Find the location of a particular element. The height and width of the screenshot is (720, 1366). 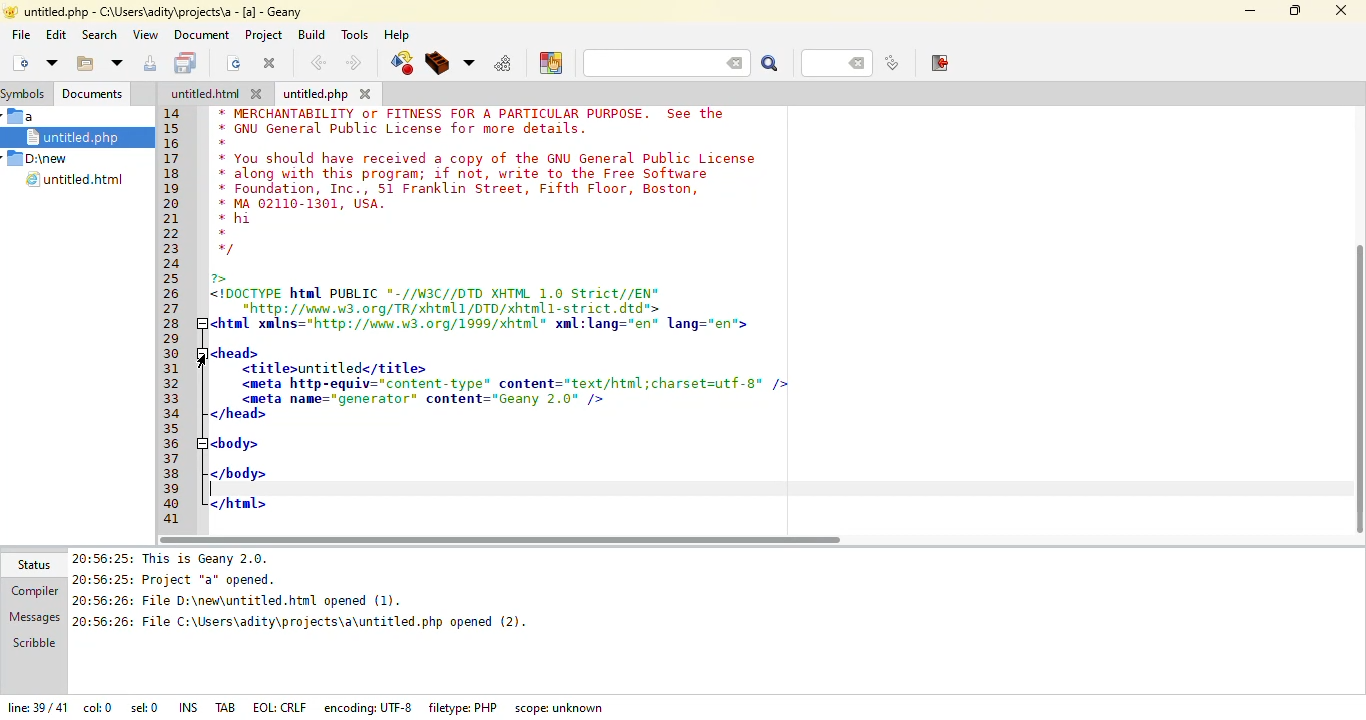

eol: crlf is located at coordinates (279, 706).